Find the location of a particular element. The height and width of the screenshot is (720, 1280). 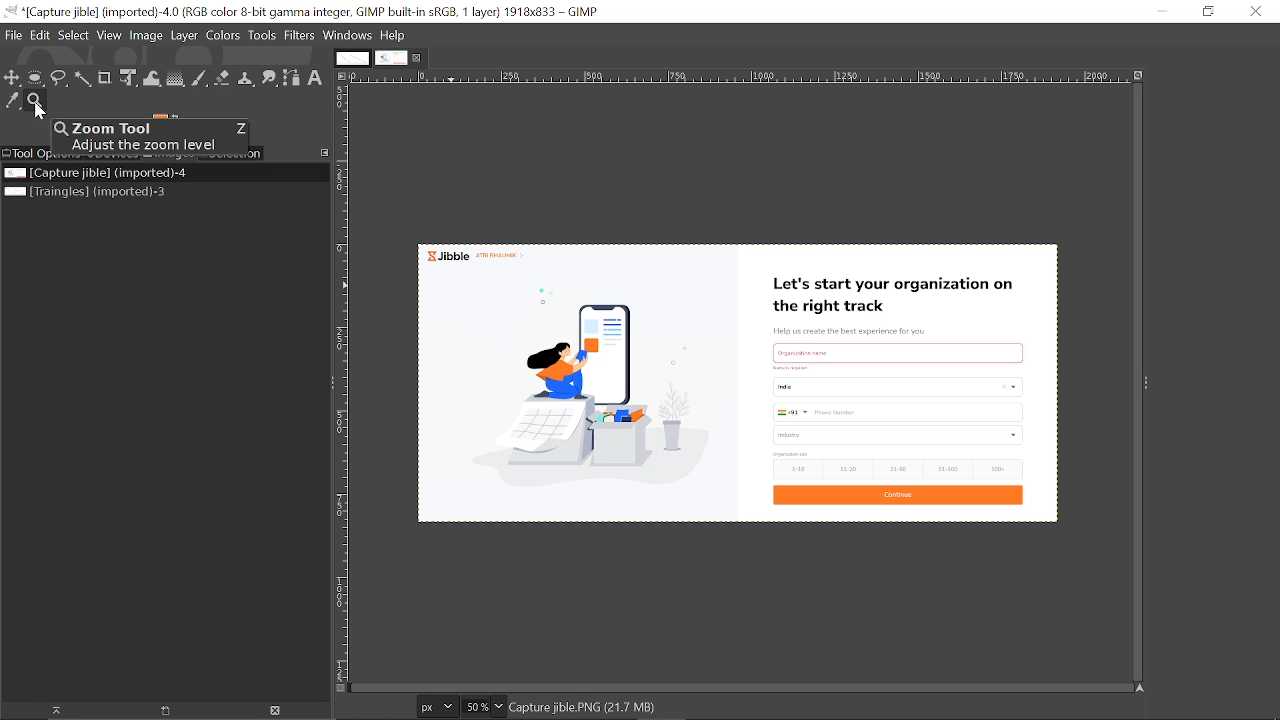

Current tab is located at coordinates (391, 59).